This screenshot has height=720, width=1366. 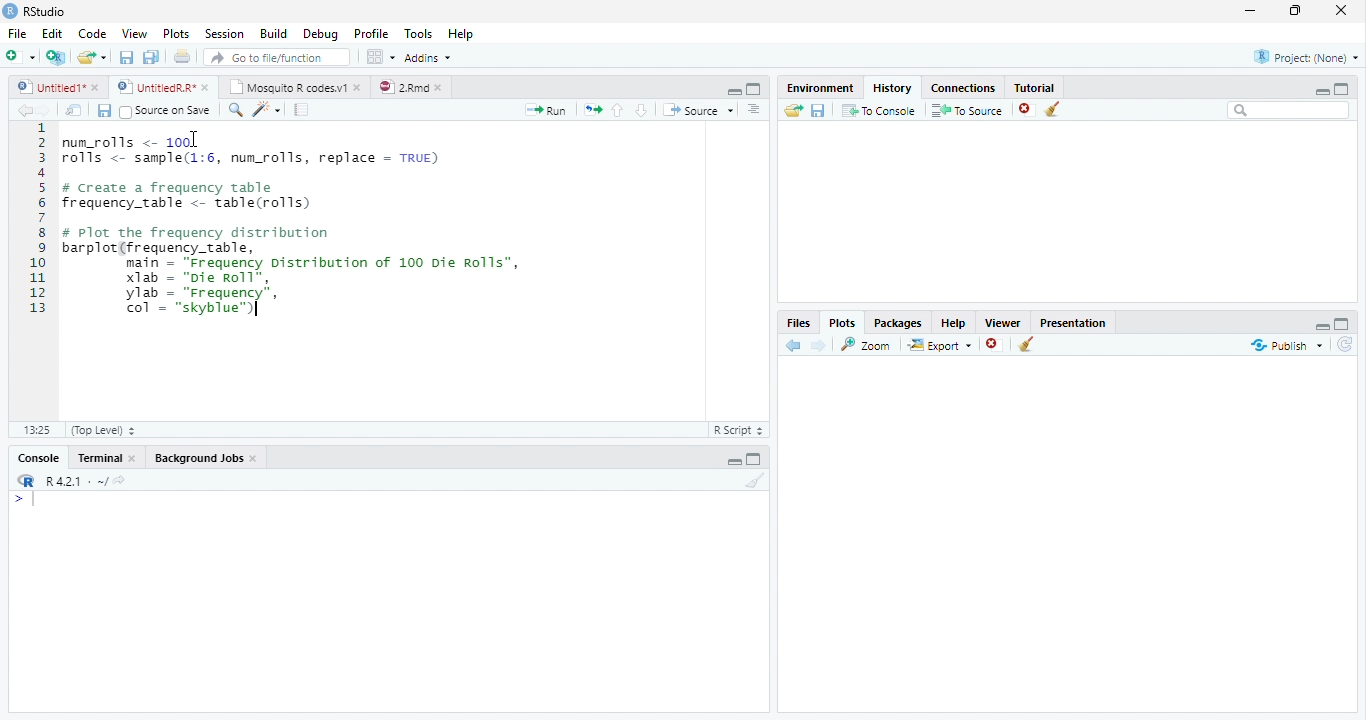 What do you see at coordinates (1073, 322) in the screenshot?
I see `Presentation` at bounding box center [1073, 322].